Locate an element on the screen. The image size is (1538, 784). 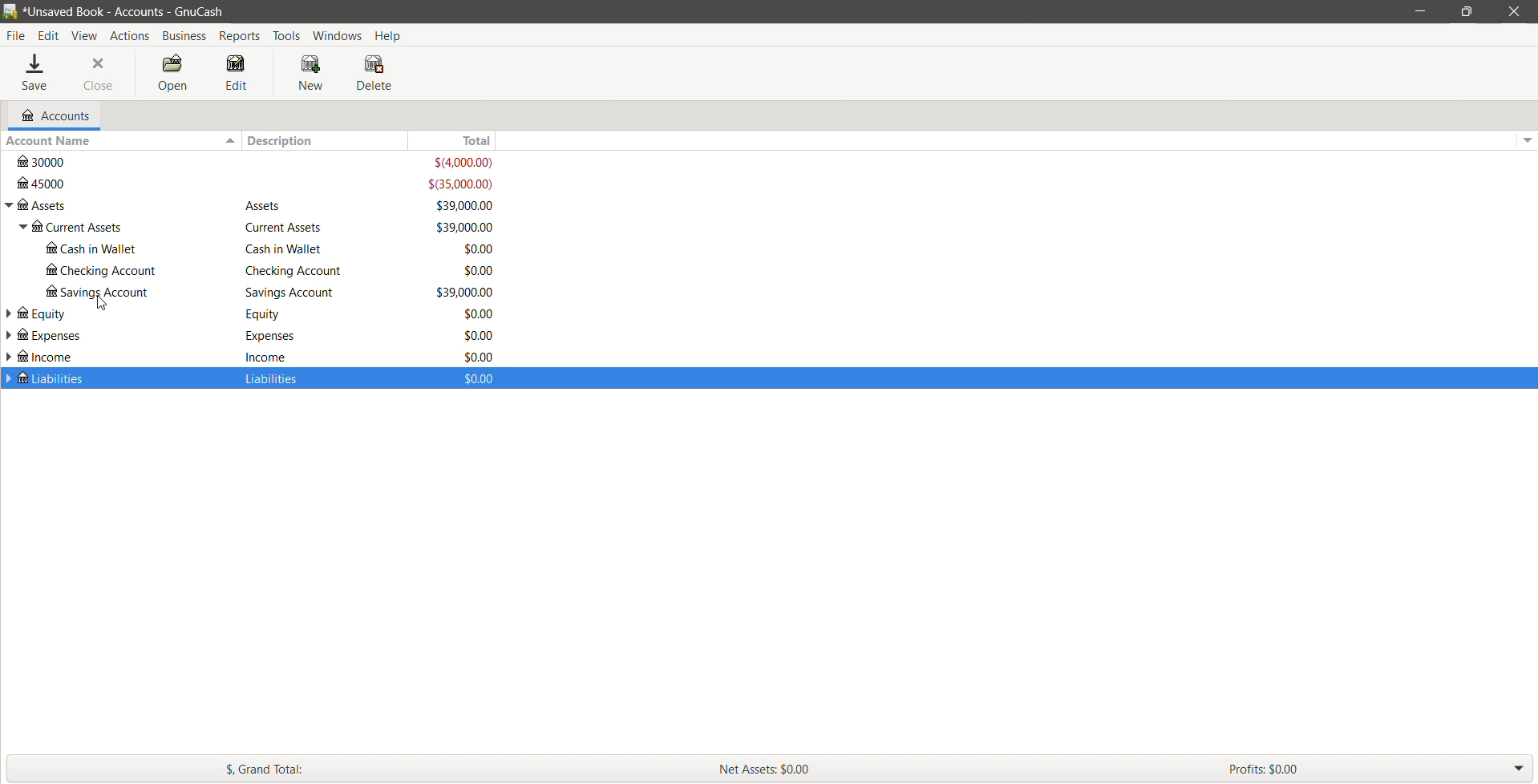
$0.00 is located at coordinates (481, 313).